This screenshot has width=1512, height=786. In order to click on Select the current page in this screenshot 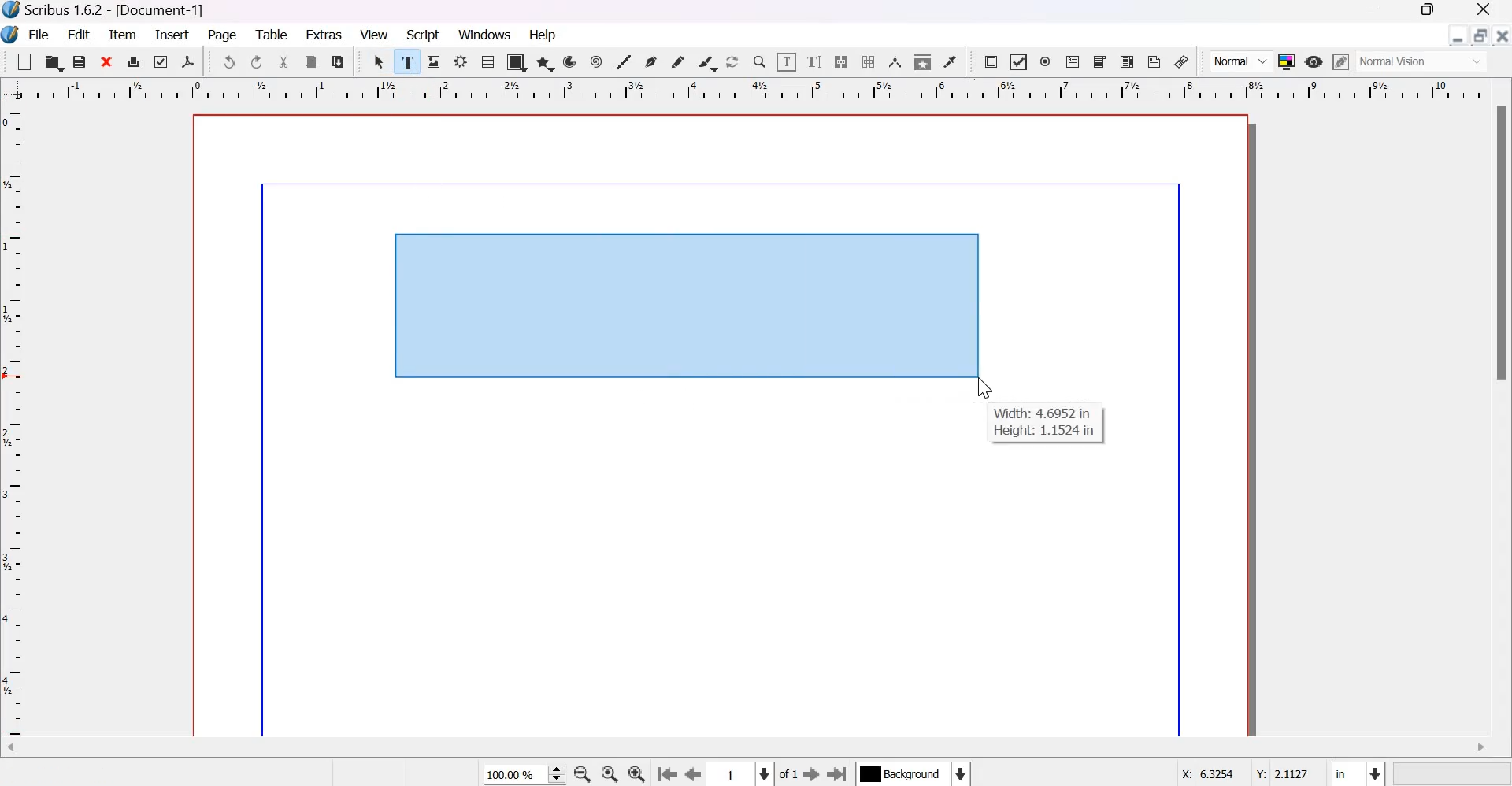, I will do `click(741, 774)`.